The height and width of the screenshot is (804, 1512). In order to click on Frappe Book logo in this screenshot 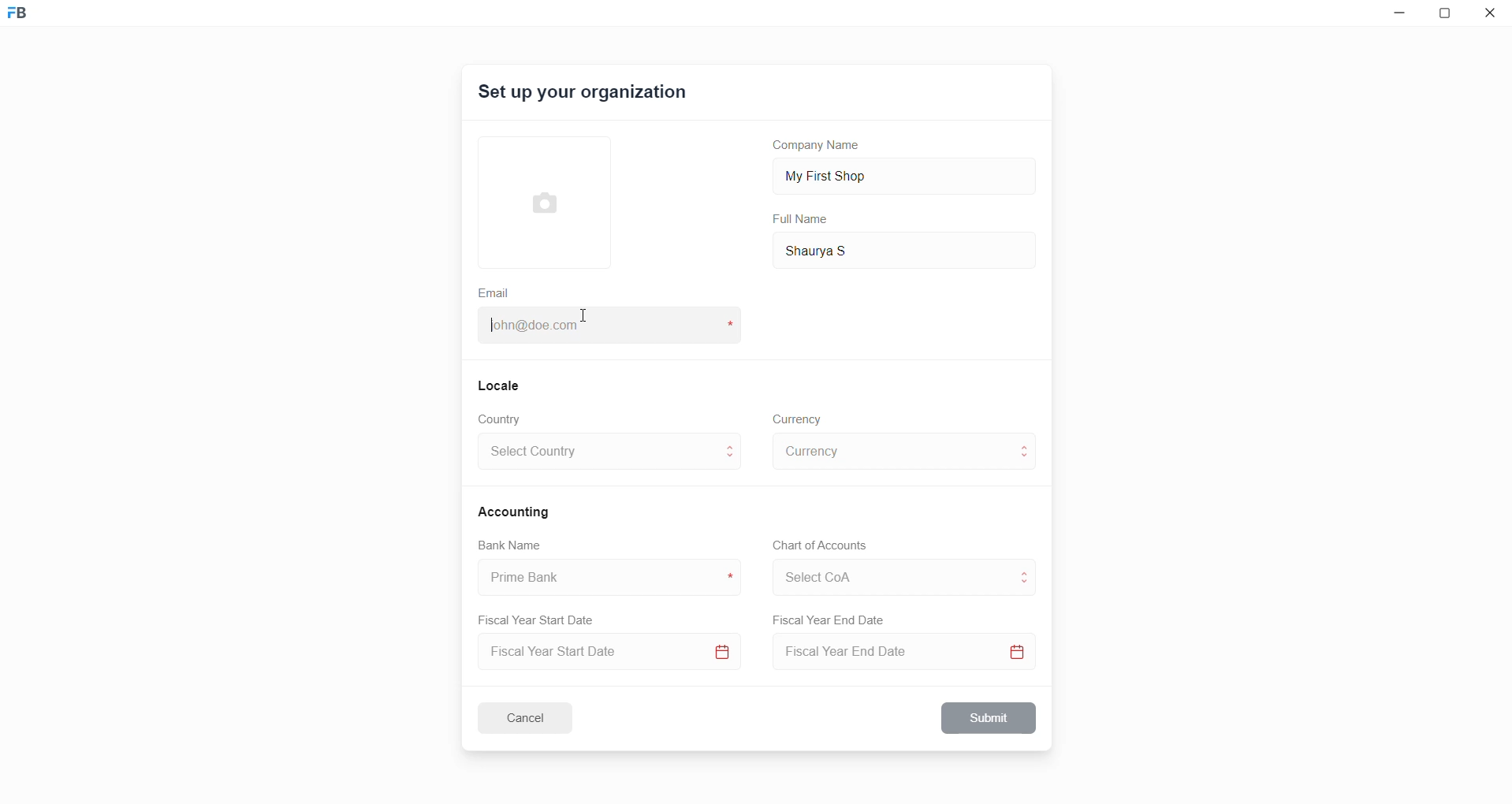, I will do `click(31, 20)`.